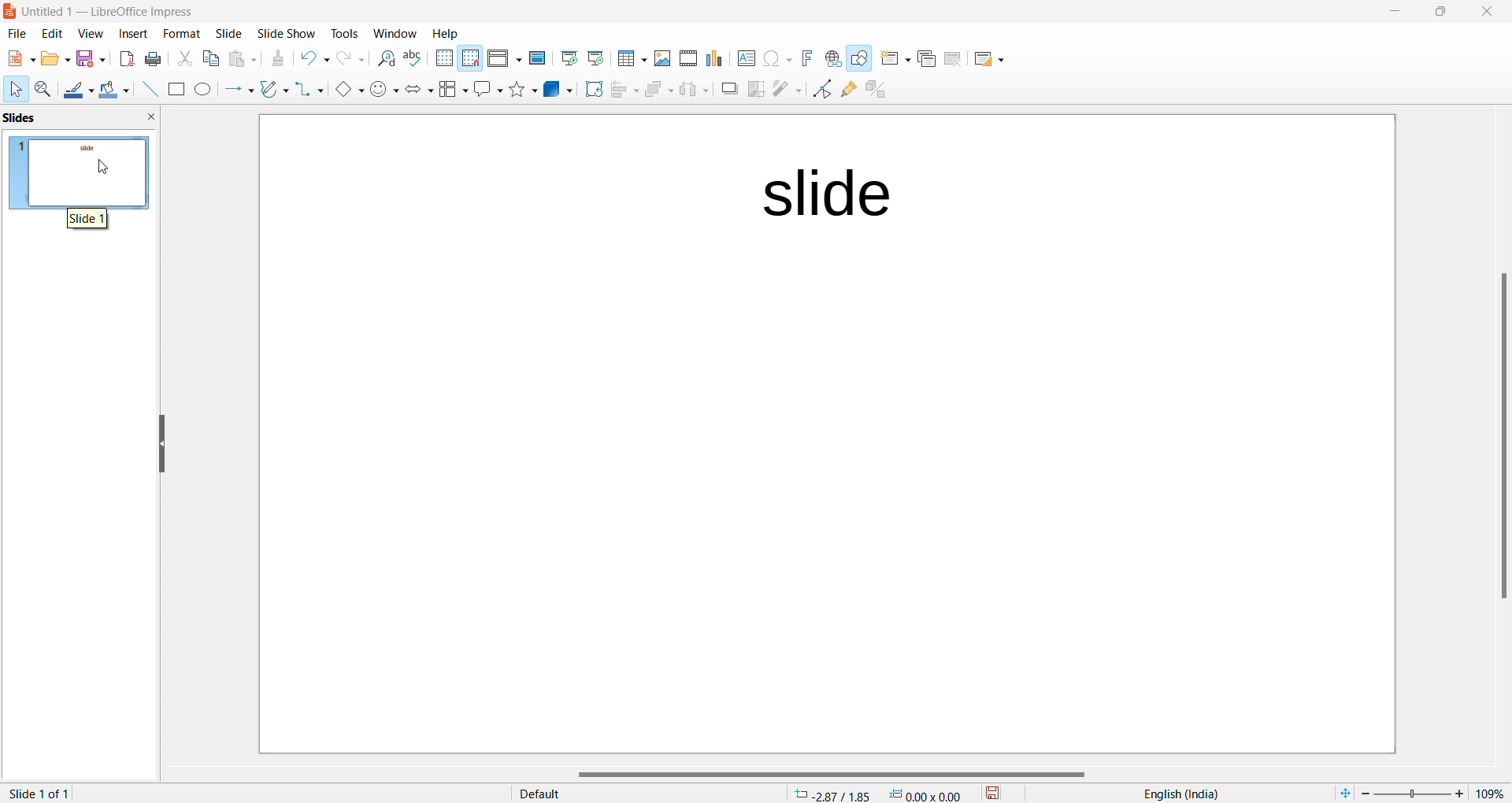 The height and width of the screenshot is (803, 1512). I want to click on toggle extrusion, so click(876, 89).